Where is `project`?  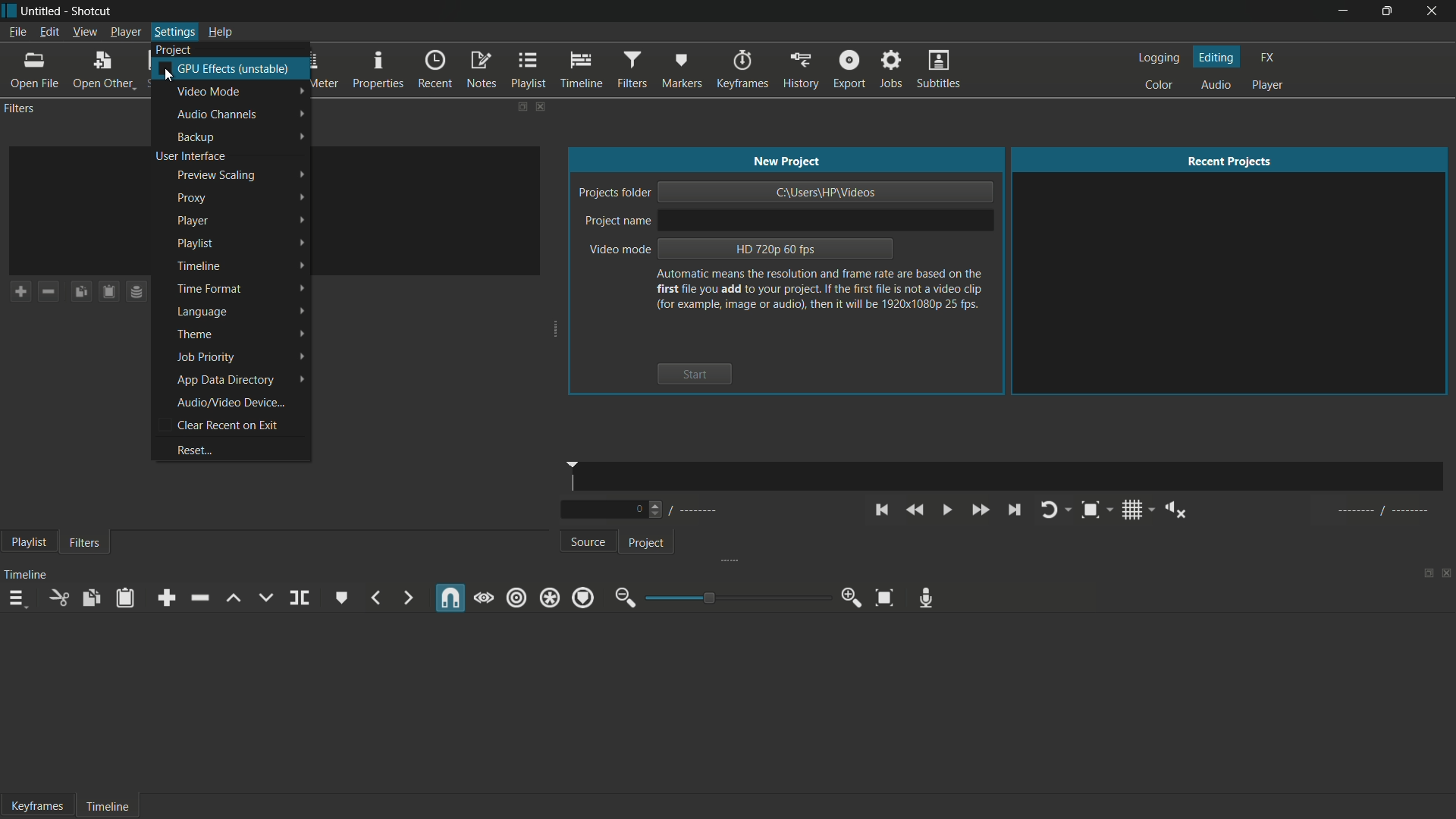
project is located at coordinates (172, 50).